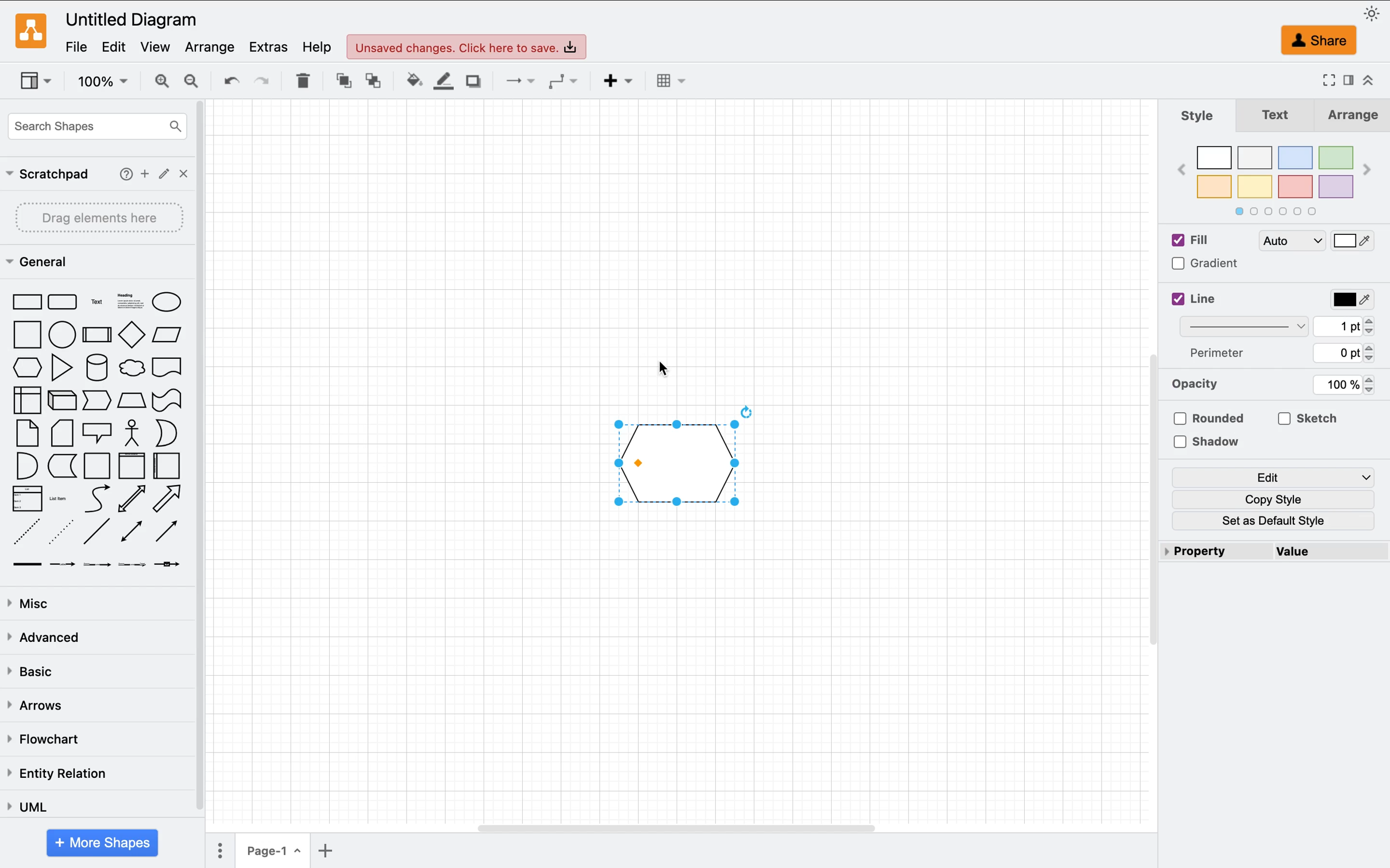 The height and width of the screenshot is (868, 1390). Describe the element at coordinates (1144, 499) in the screenshot. I see `page vertical scroll bar` at that location.